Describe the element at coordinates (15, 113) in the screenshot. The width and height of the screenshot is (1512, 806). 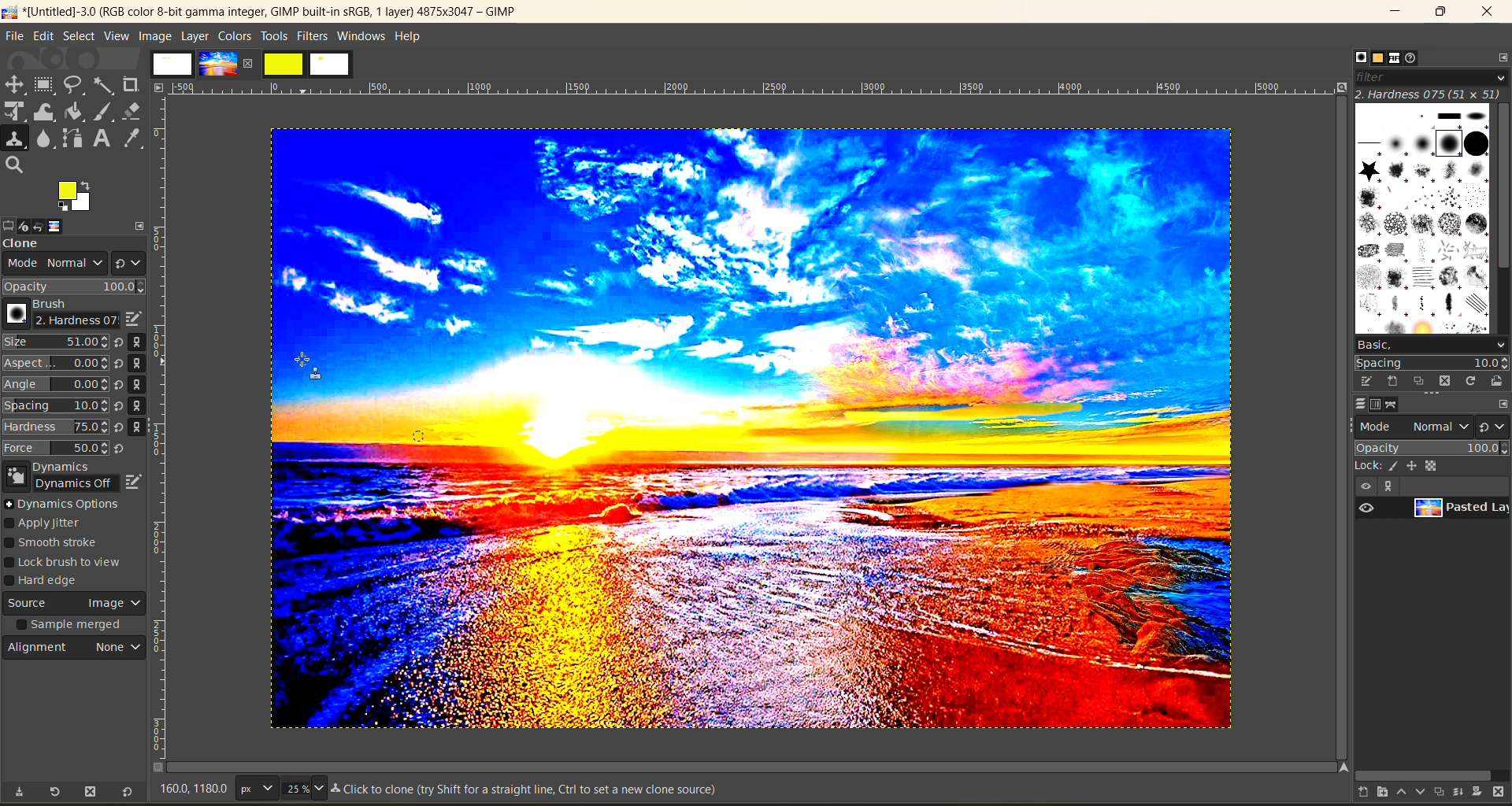
I see `scale` at that location.